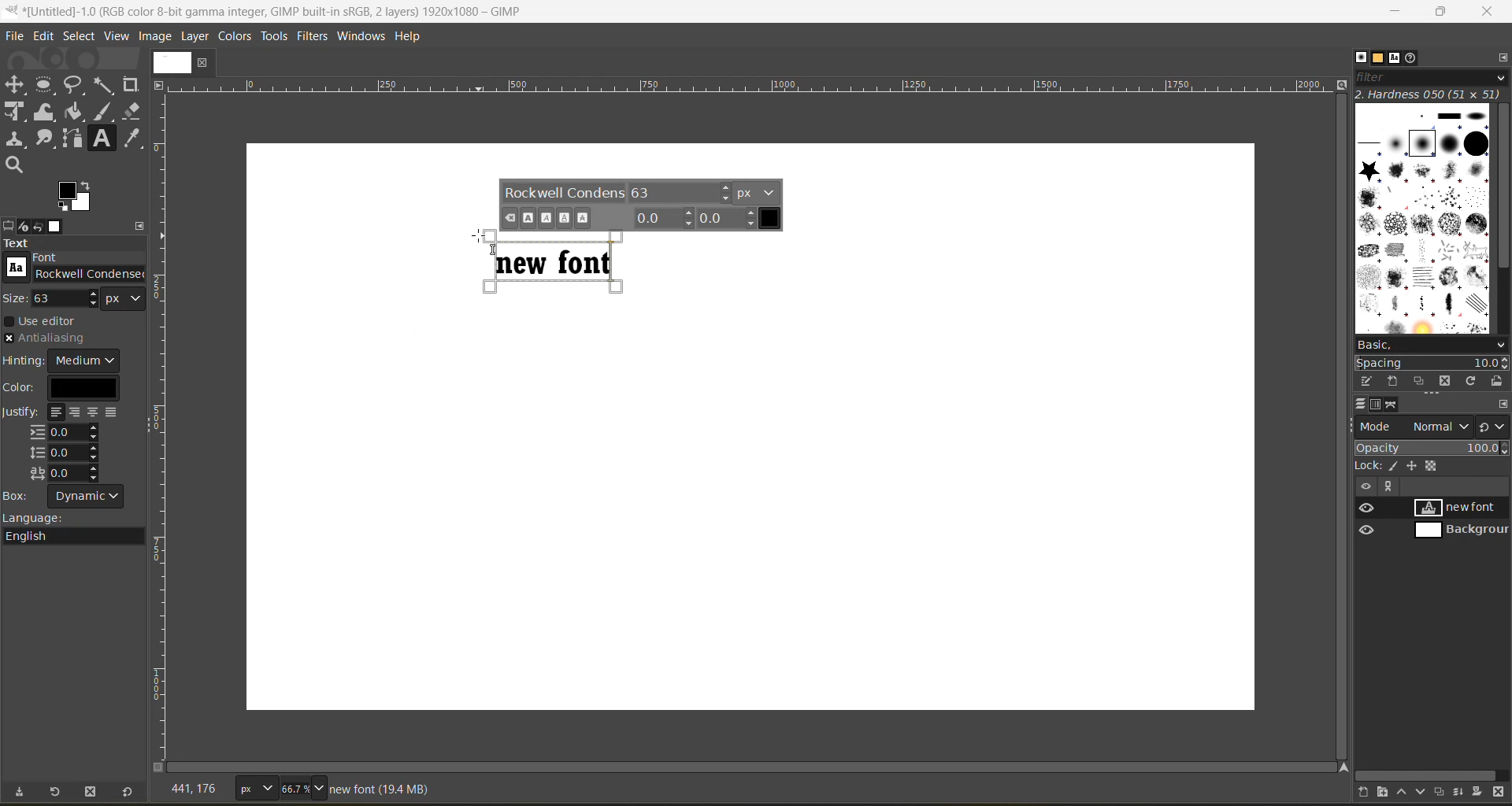  What do you see at coordinates (1428, 775) in the screenshot?
I see `horizontal scroll bar` at bounding box center [1428, 775].